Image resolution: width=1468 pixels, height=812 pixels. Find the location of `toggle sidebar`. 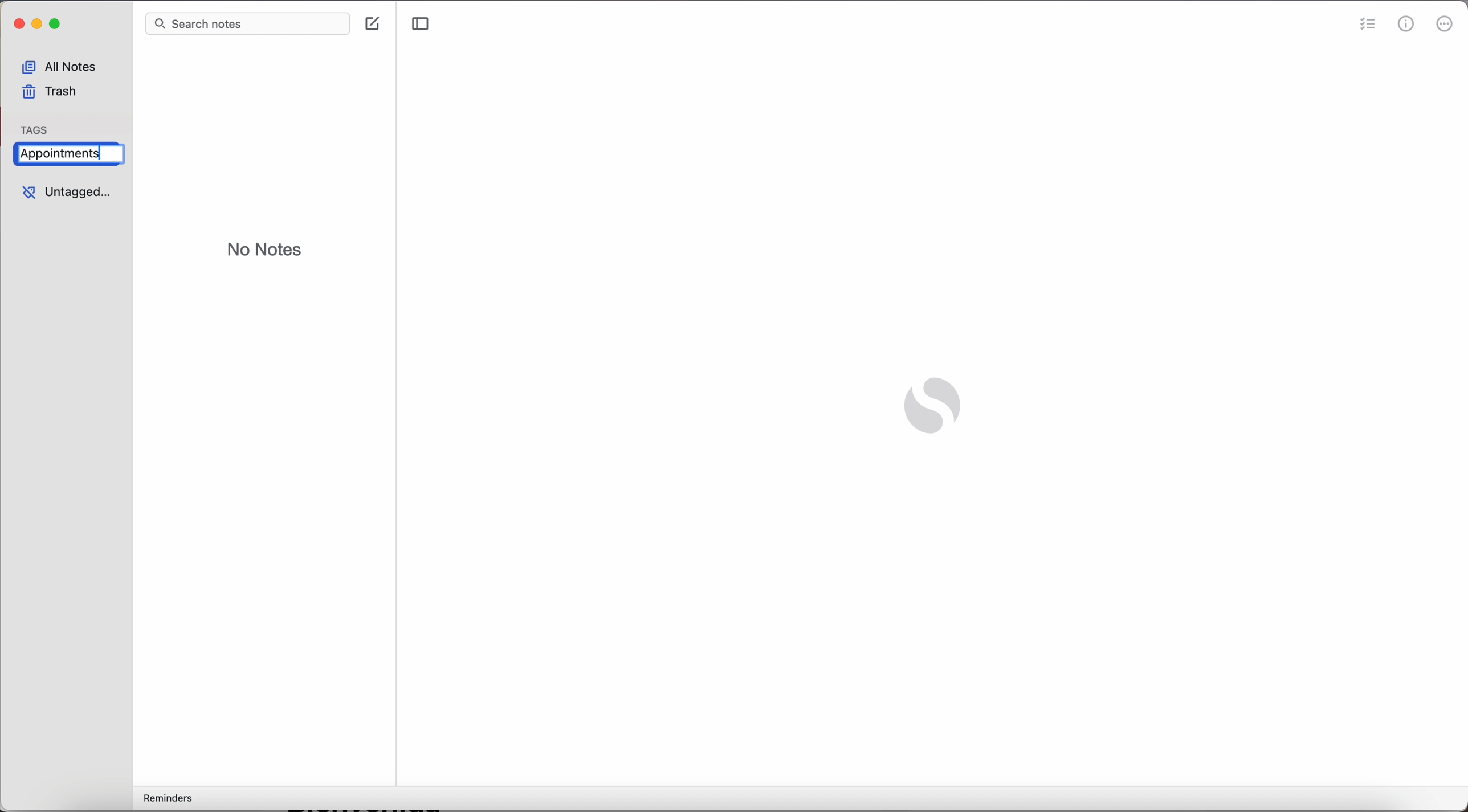

toggle sidebar is located at coordinates (421, 26).